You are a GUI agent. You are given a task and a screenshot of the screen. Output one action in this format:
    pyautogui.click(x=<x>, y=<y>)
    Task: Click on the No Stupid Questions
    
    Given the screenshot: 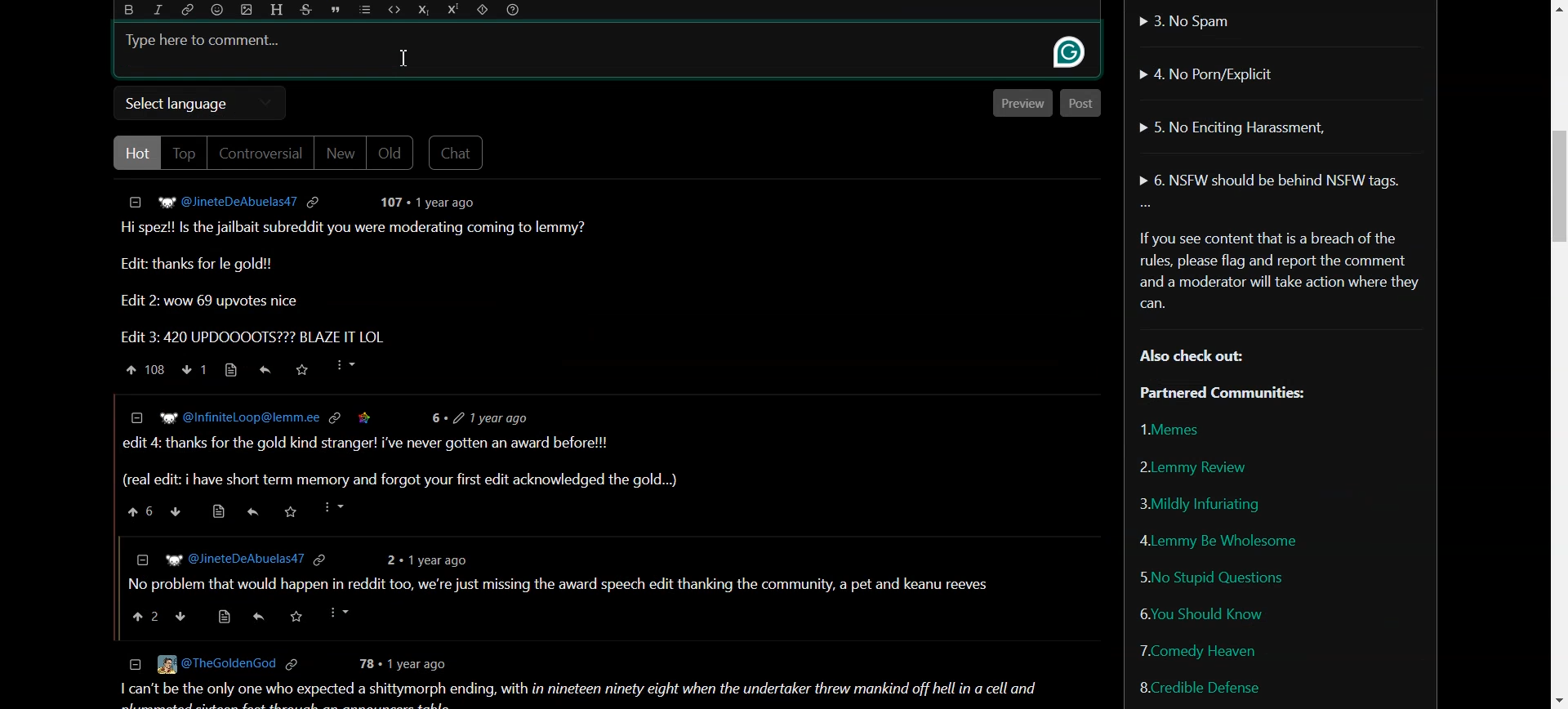 What is the action you would take?
    pyautogui.click(x=1214, y=576)
    